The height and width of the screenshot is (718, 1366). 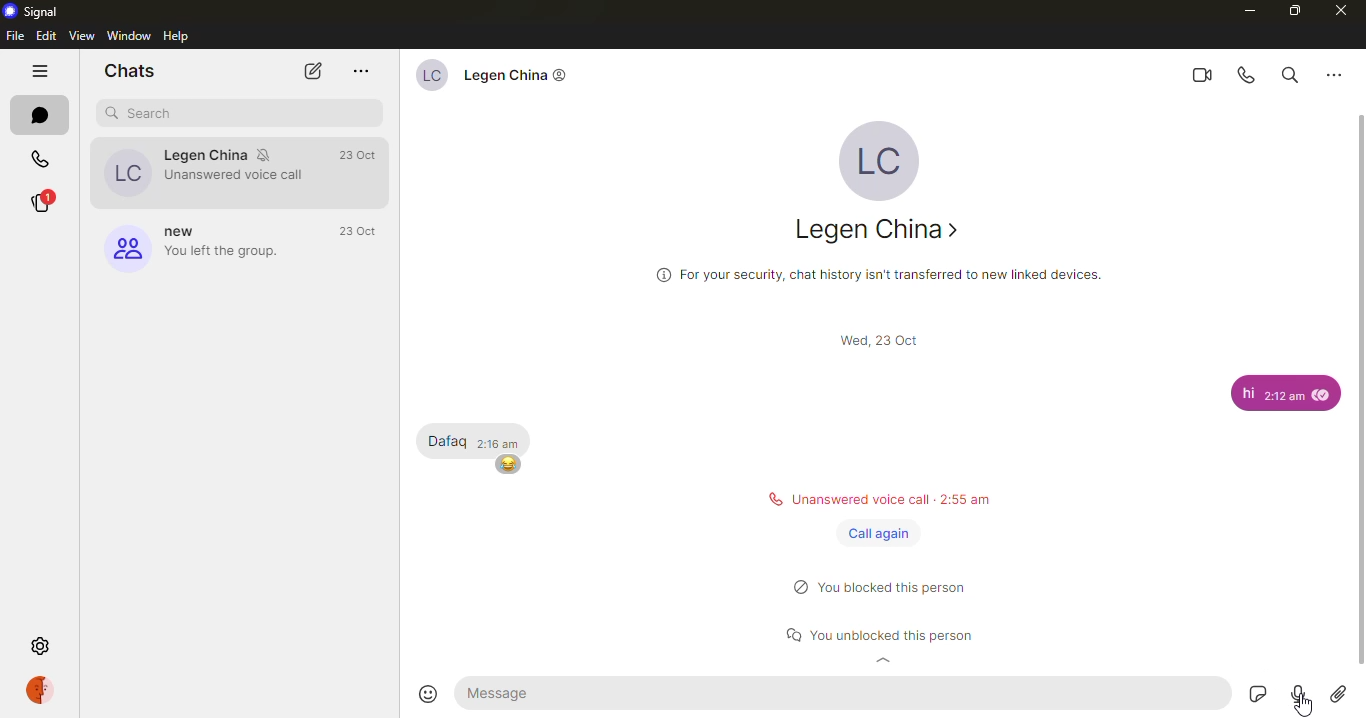 What do you see at coordinates (225, 251) in the screenshot?
I see `‘You left the group.` at bounding box center [225, 251].